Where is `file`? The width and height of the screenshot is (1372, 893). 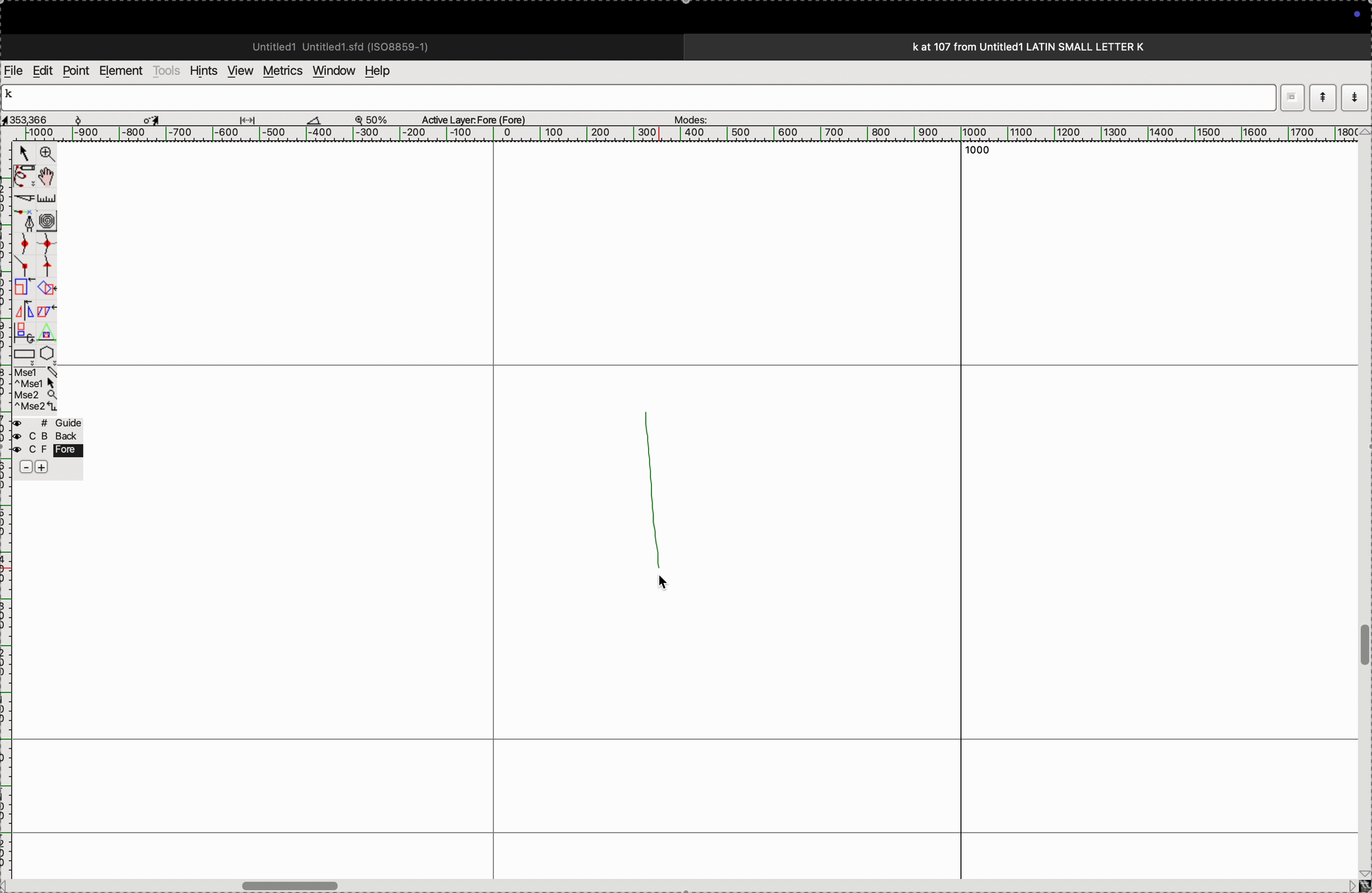 file is located at coordinates (14, 71).